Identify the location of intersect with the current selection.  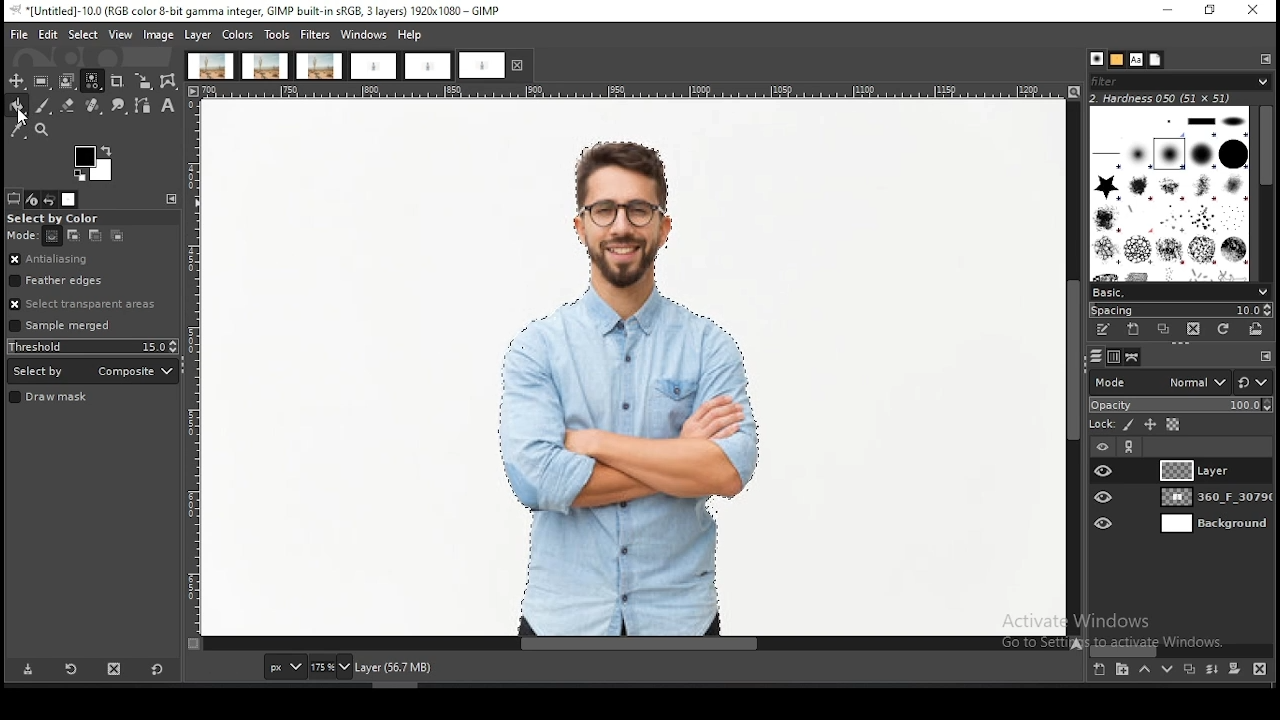
(115, 237).